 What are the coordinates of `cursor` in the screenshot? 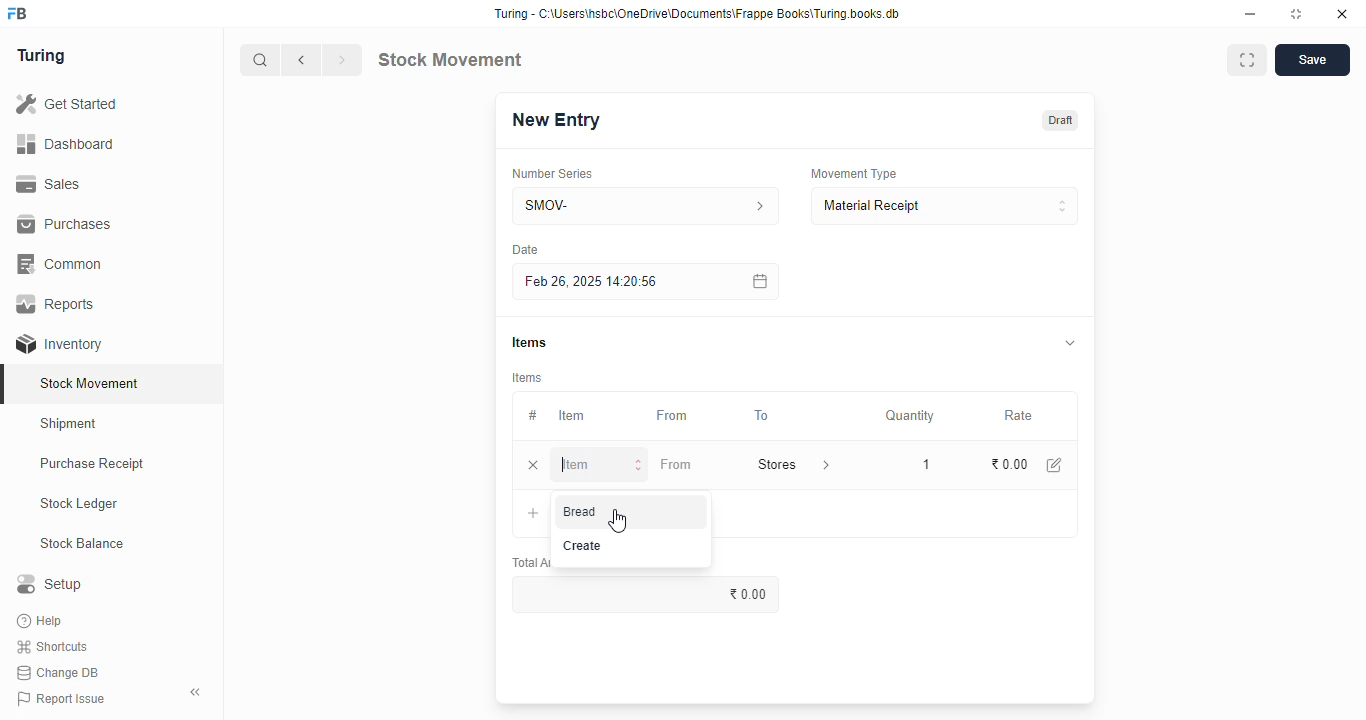 It's located at (618, 520).